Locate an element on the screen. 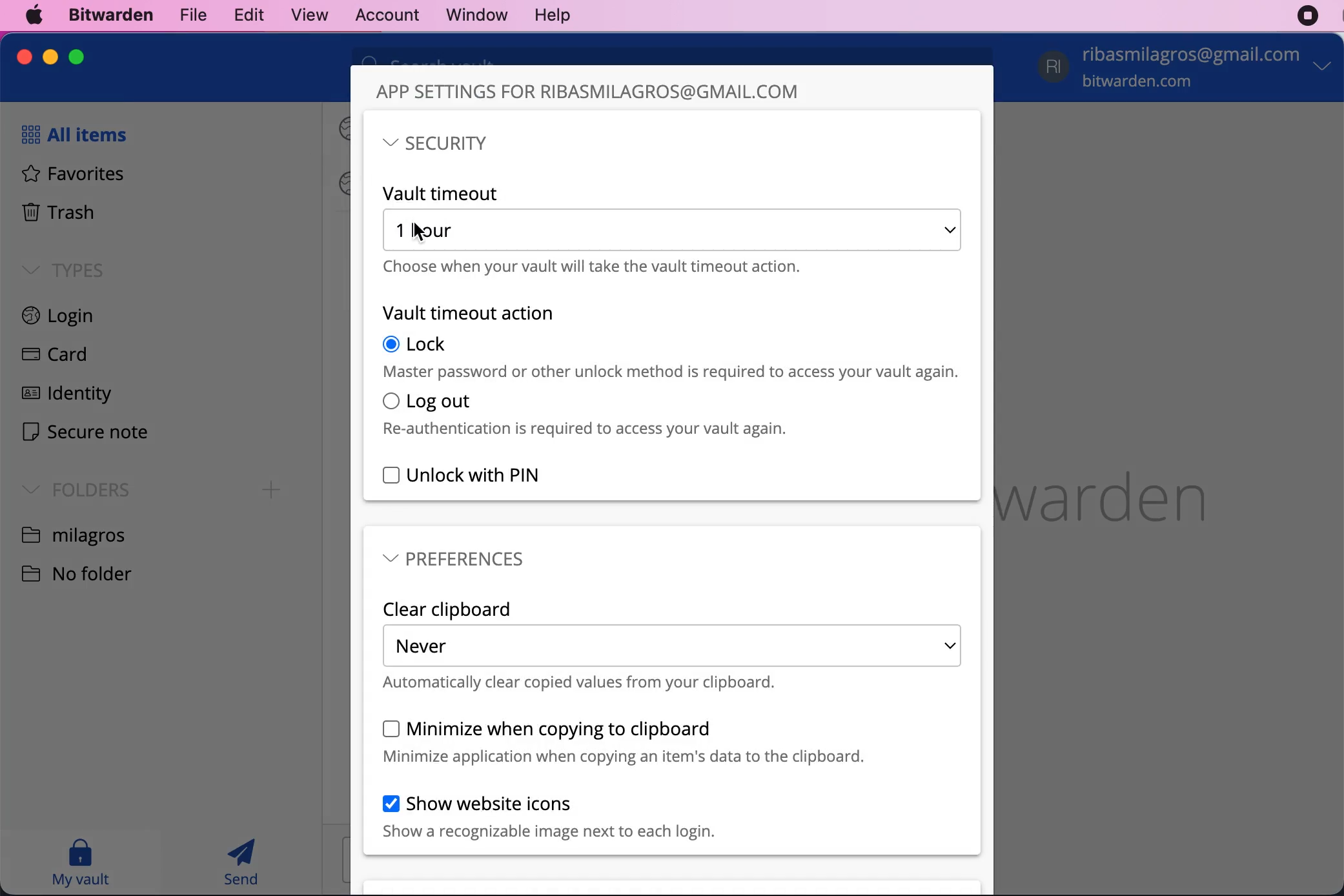  security is located at coordinates (436, 144).